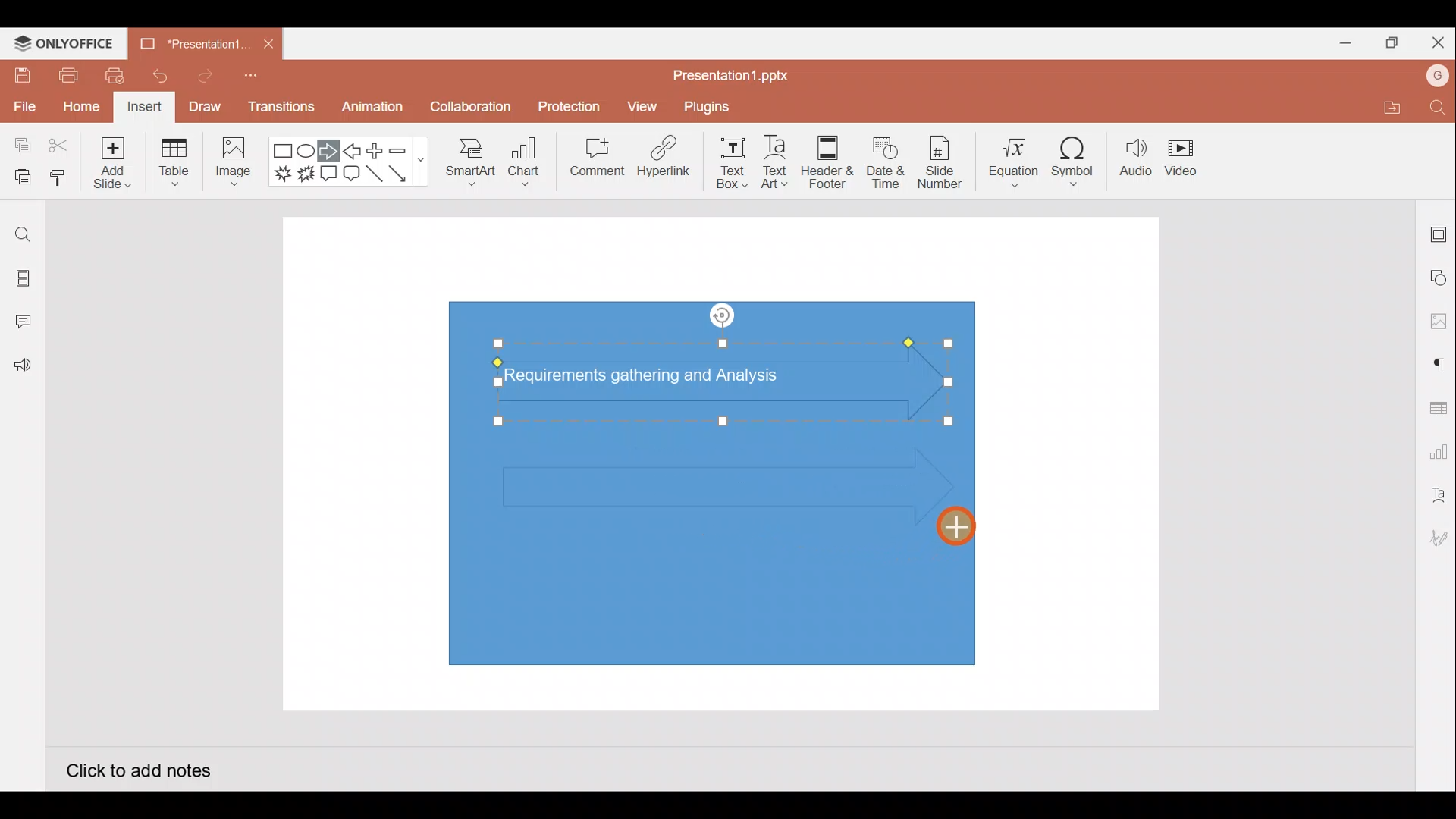  What do you see at coordinates (138, 769) in the screenshot?
I see `Click to add notes` at bounding box center [138, 769].